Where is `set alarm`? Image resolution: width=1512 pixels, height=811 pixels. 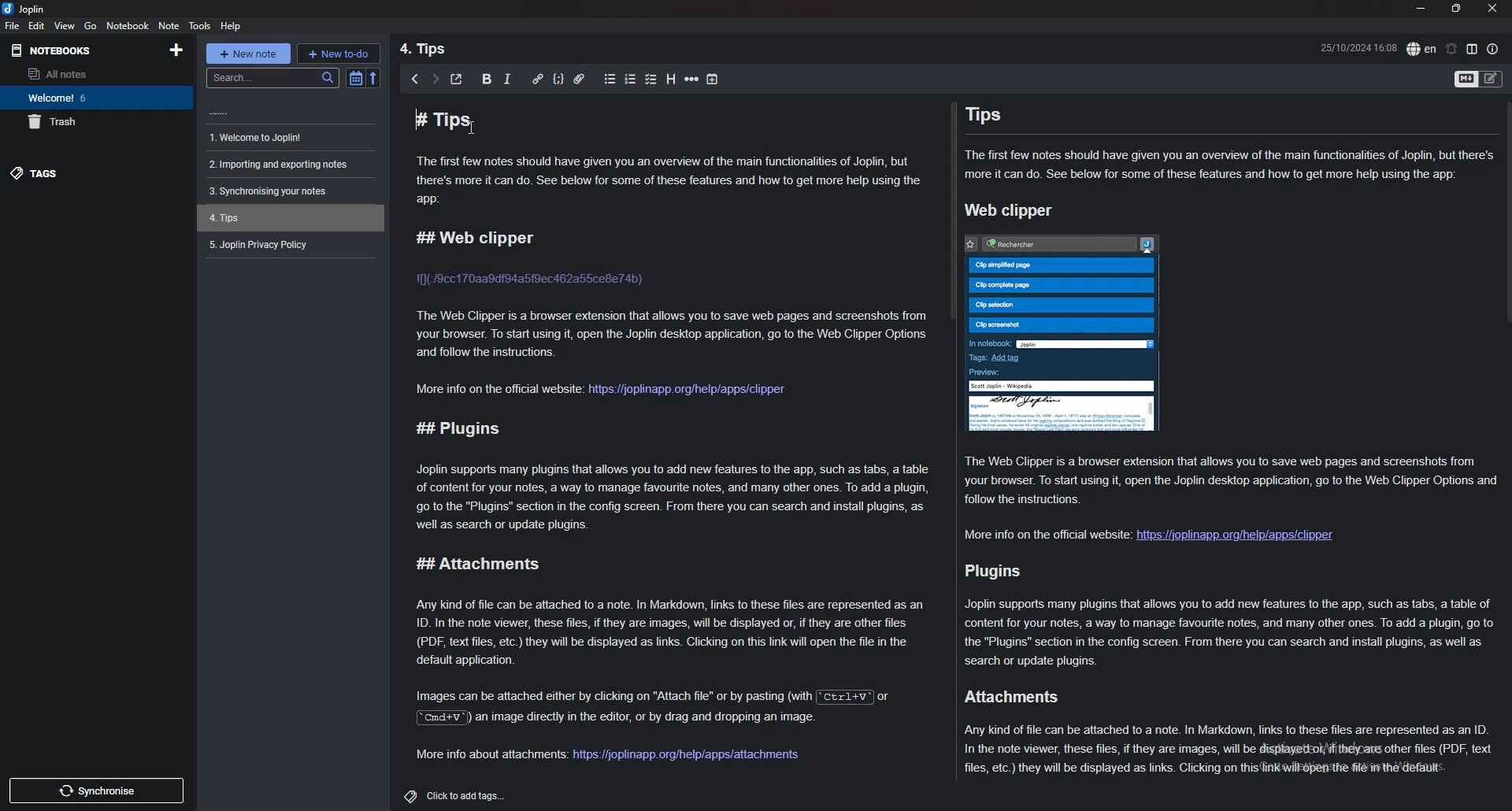 set alarm is located at coordinates (1451, 49).